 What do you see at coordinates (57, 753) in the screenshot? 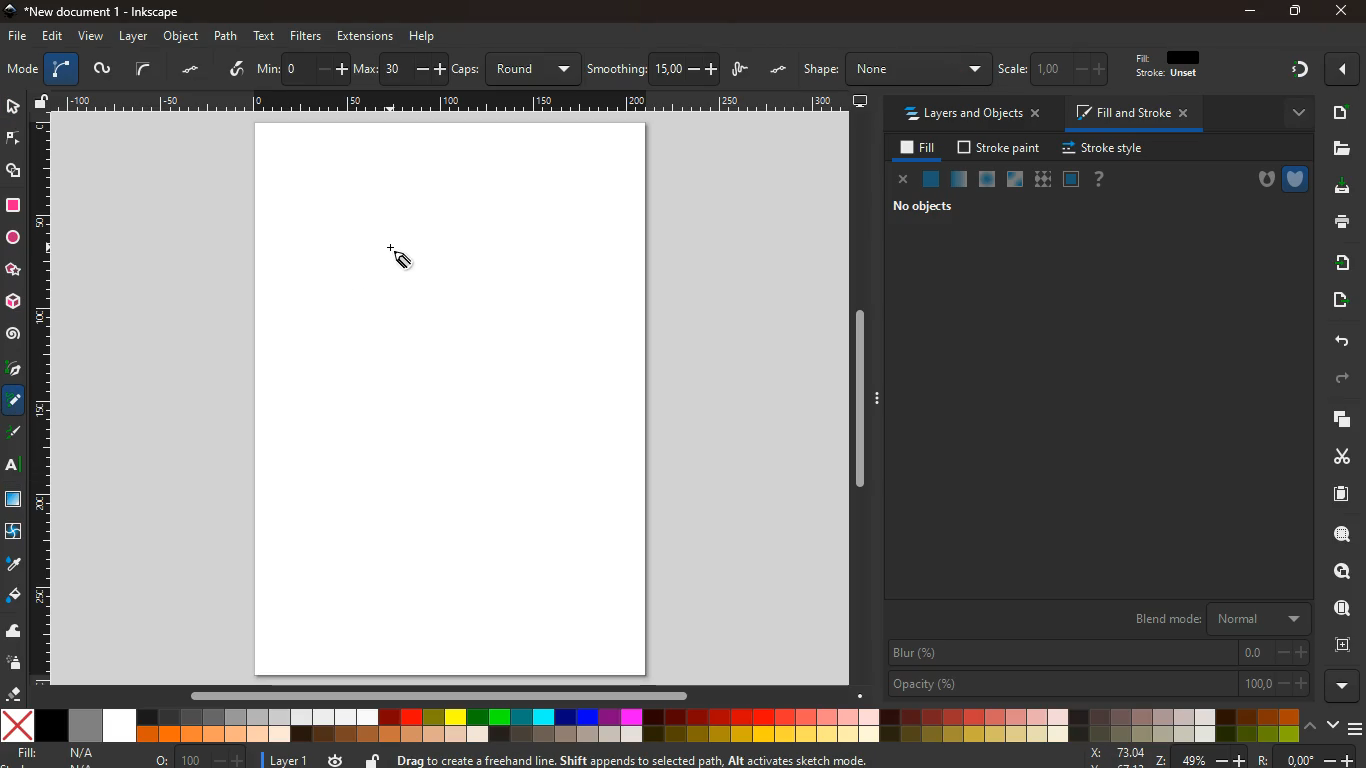
I see `fill: N/A` at bounding box center [57, 753].